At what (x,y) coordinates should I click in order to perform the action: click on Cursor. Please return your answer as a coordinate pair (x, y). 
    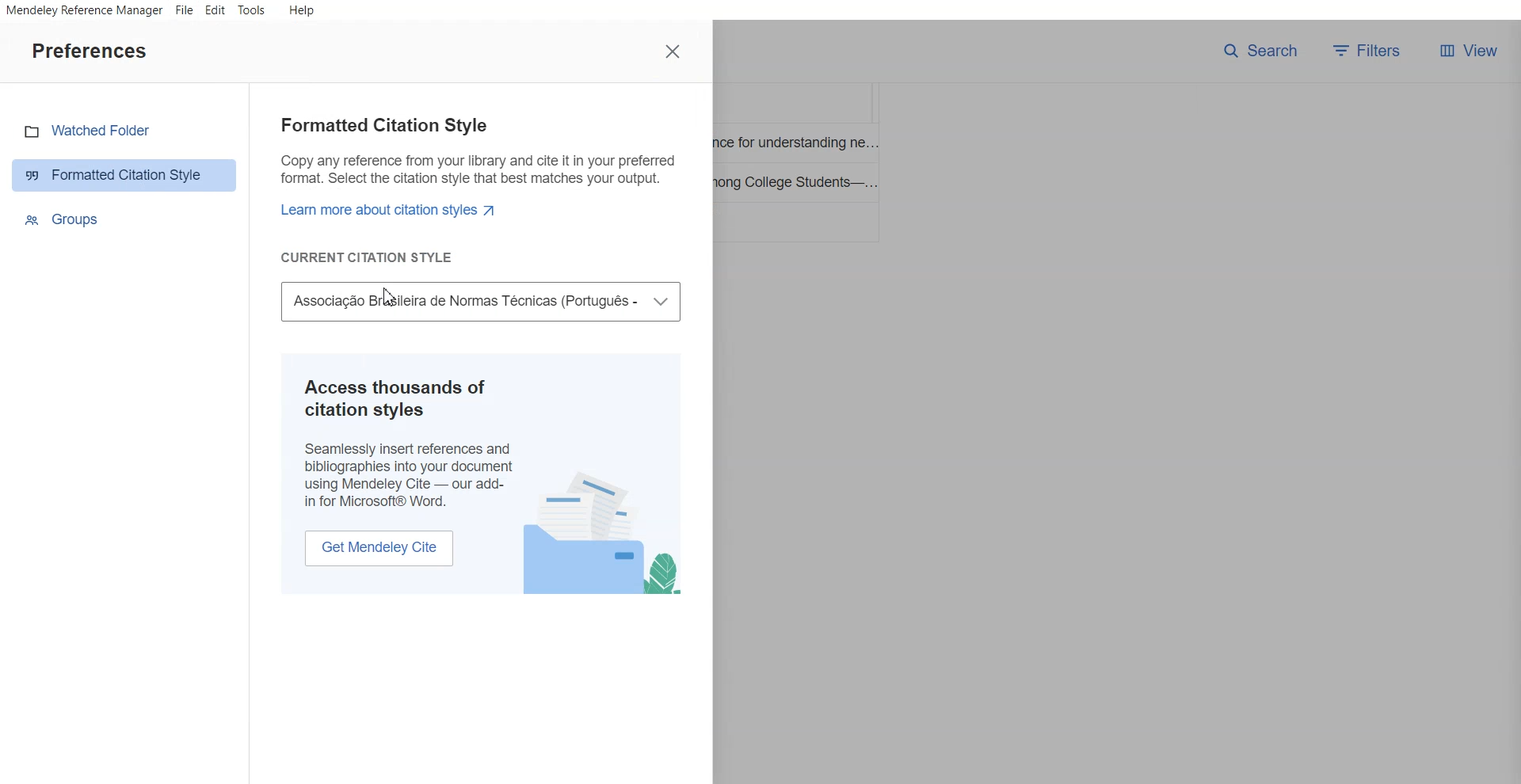
    Looking at the image, I should click on (393, 297).